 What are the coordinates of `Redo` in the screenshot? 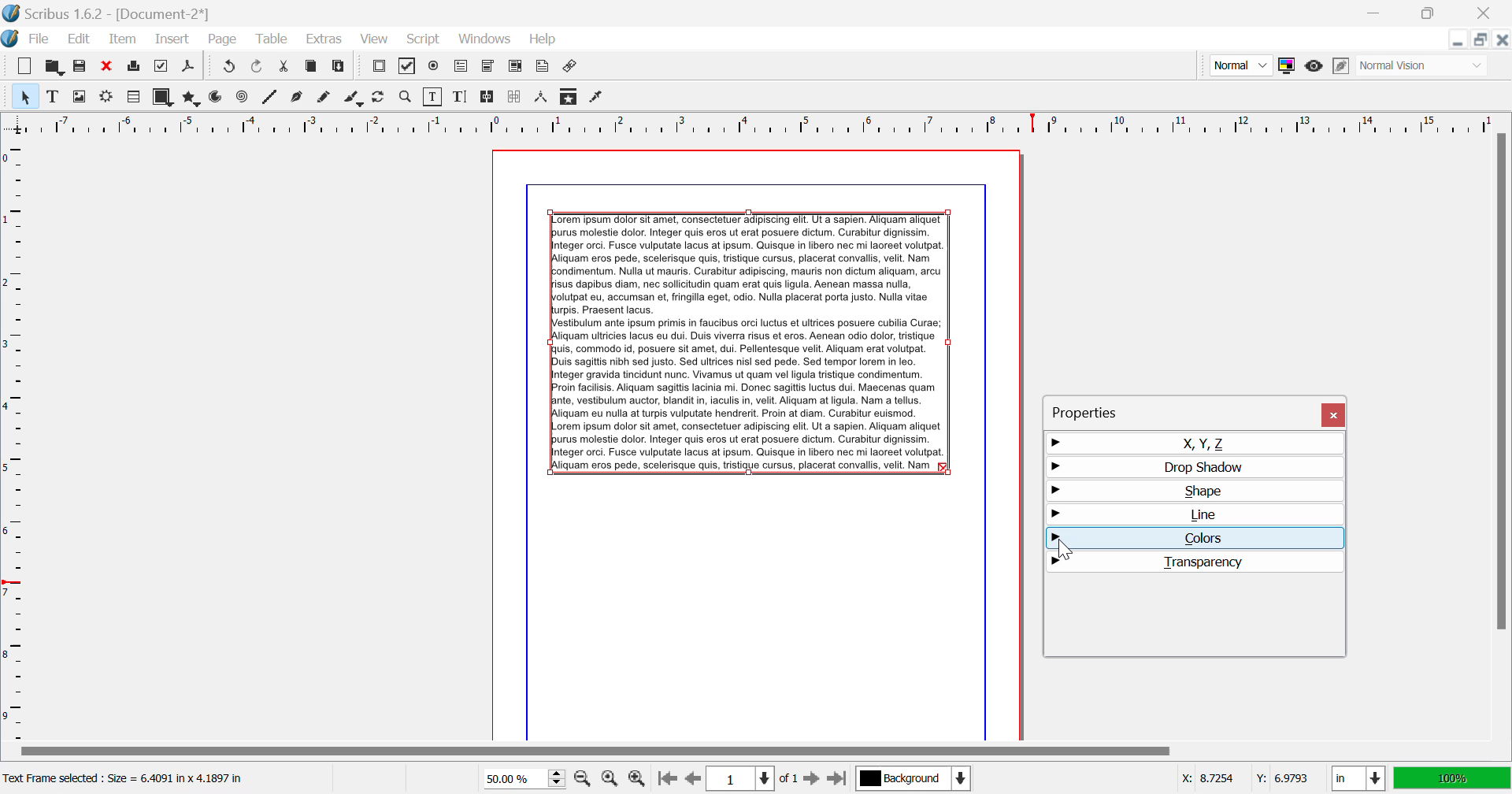 It's located at (227, 68).